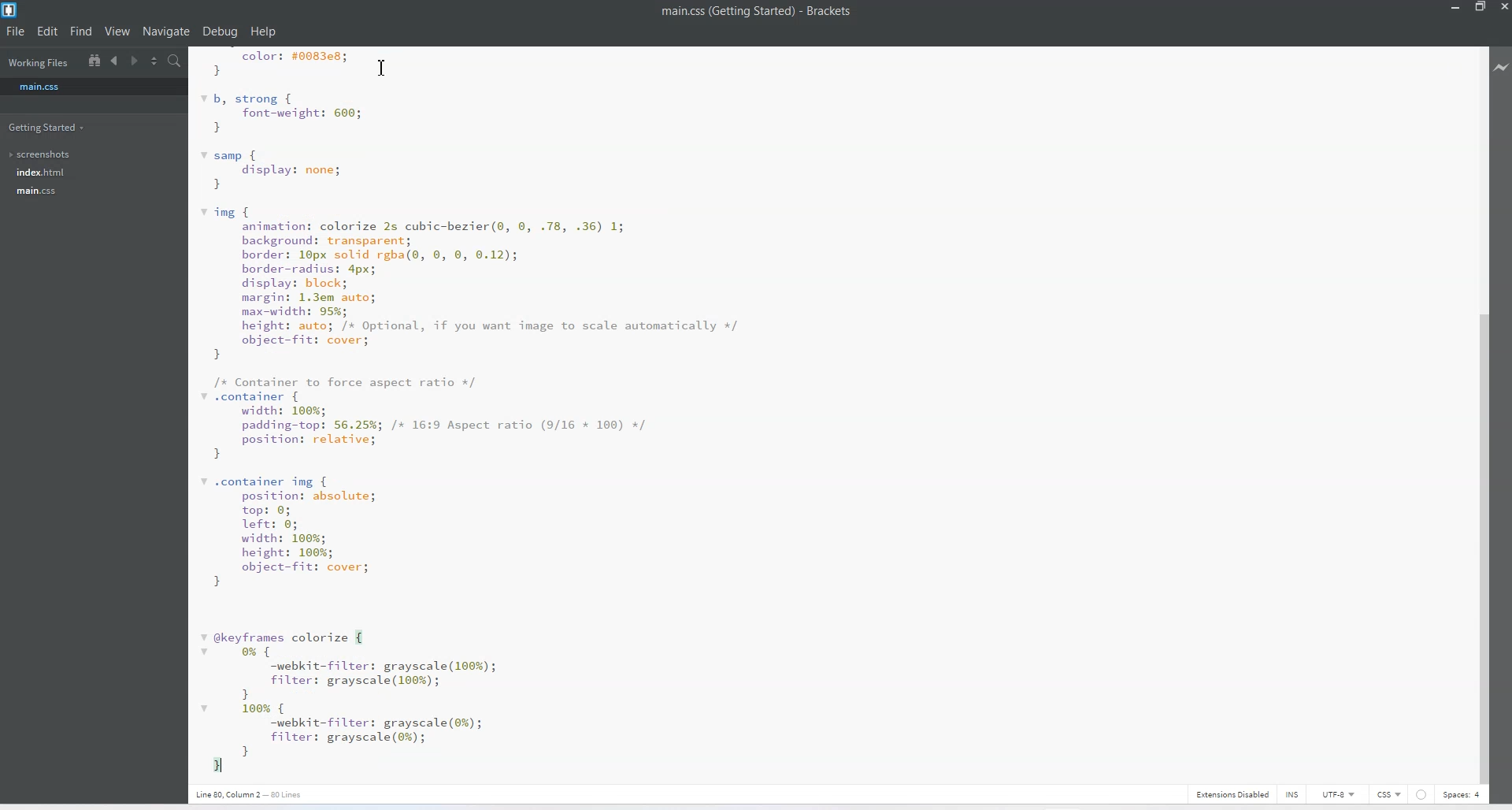  Describe the element at coordinates (48, 32) in the screenshot. I see `Edit` at that location.